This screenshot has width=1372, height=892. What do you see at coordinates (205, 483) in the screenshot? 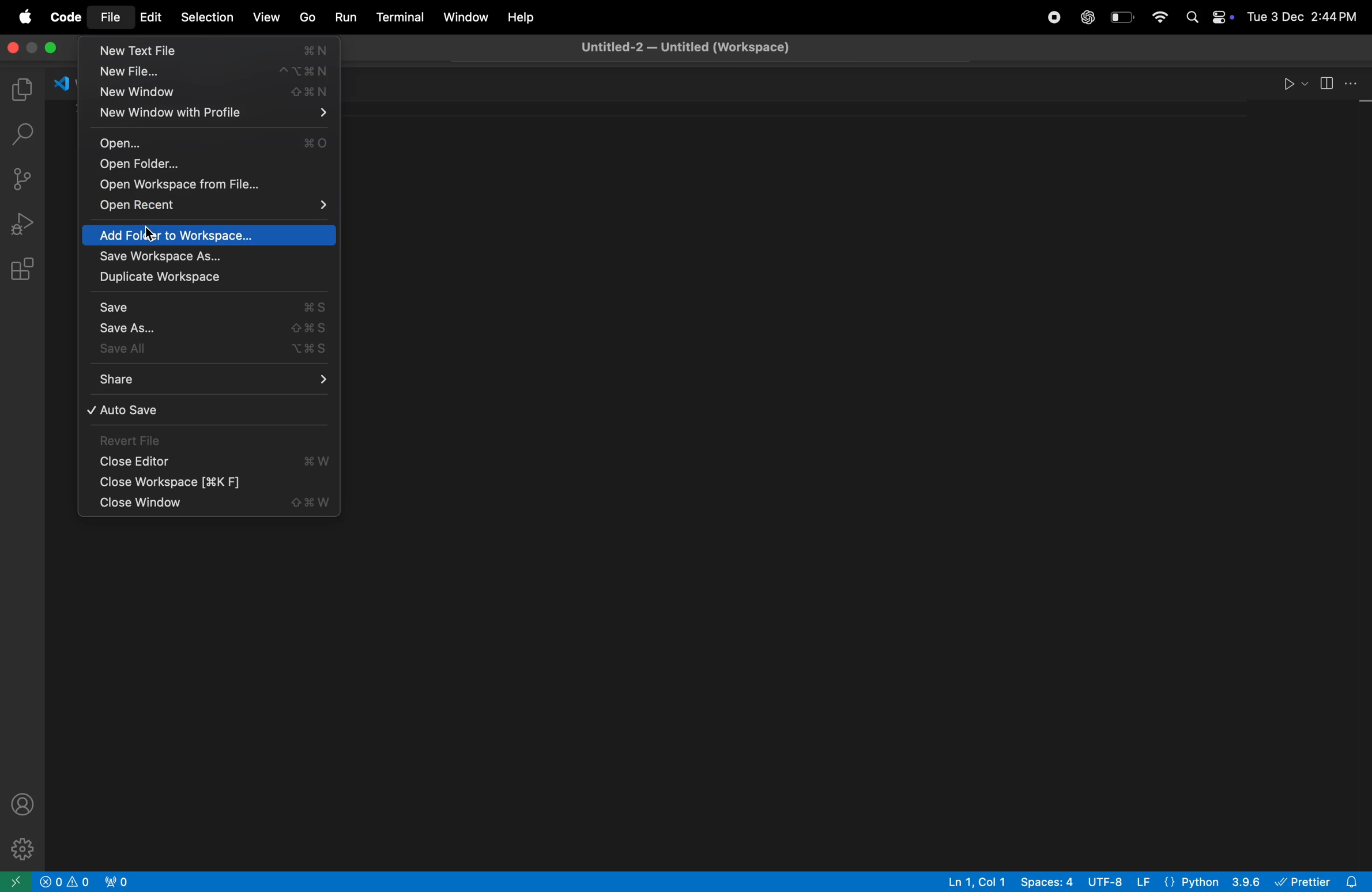
I see `close workspace` at bounding box center [205, 483].